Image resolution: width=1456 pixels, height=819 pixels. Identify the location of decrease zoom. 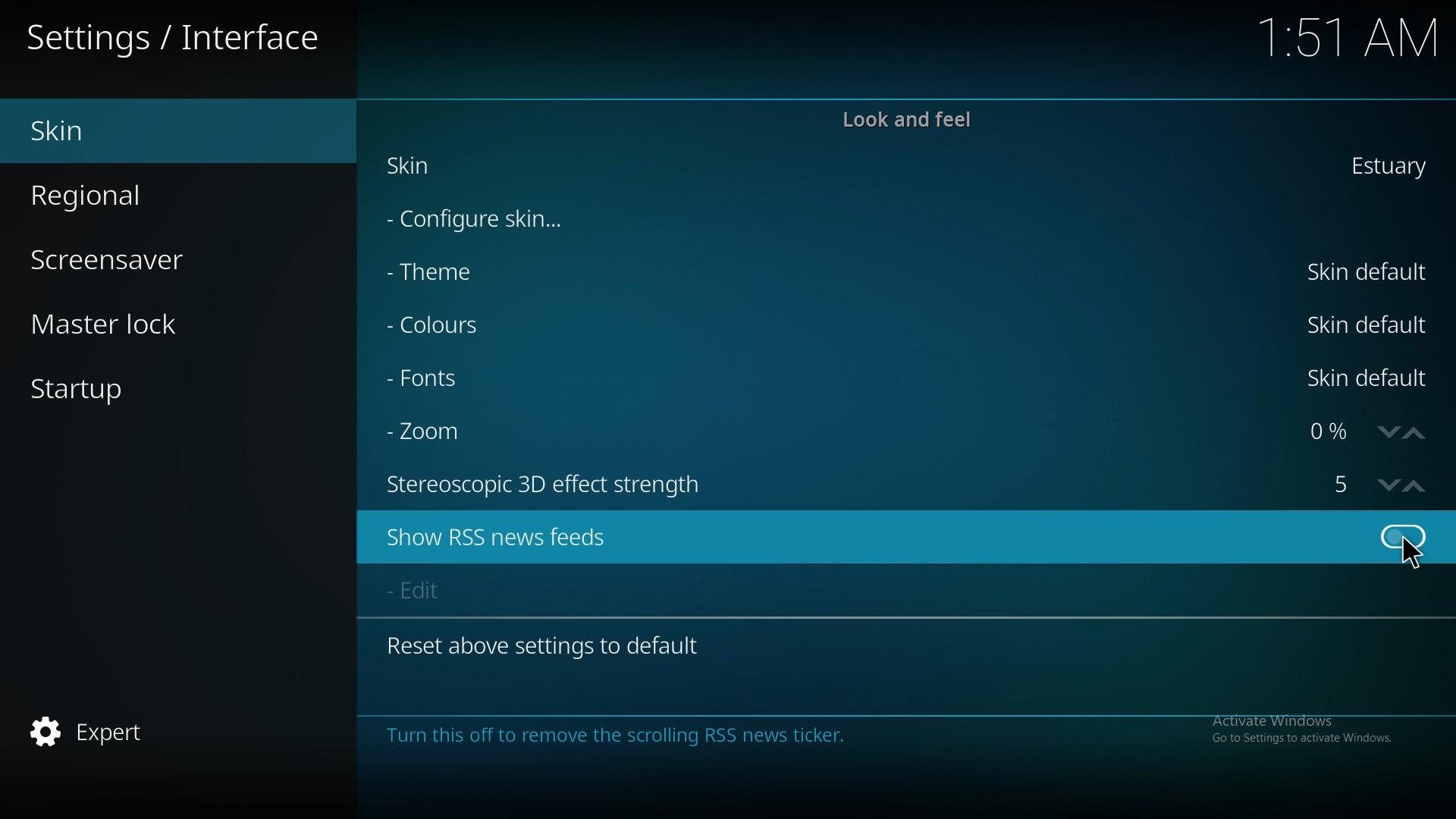
(1385, 434).